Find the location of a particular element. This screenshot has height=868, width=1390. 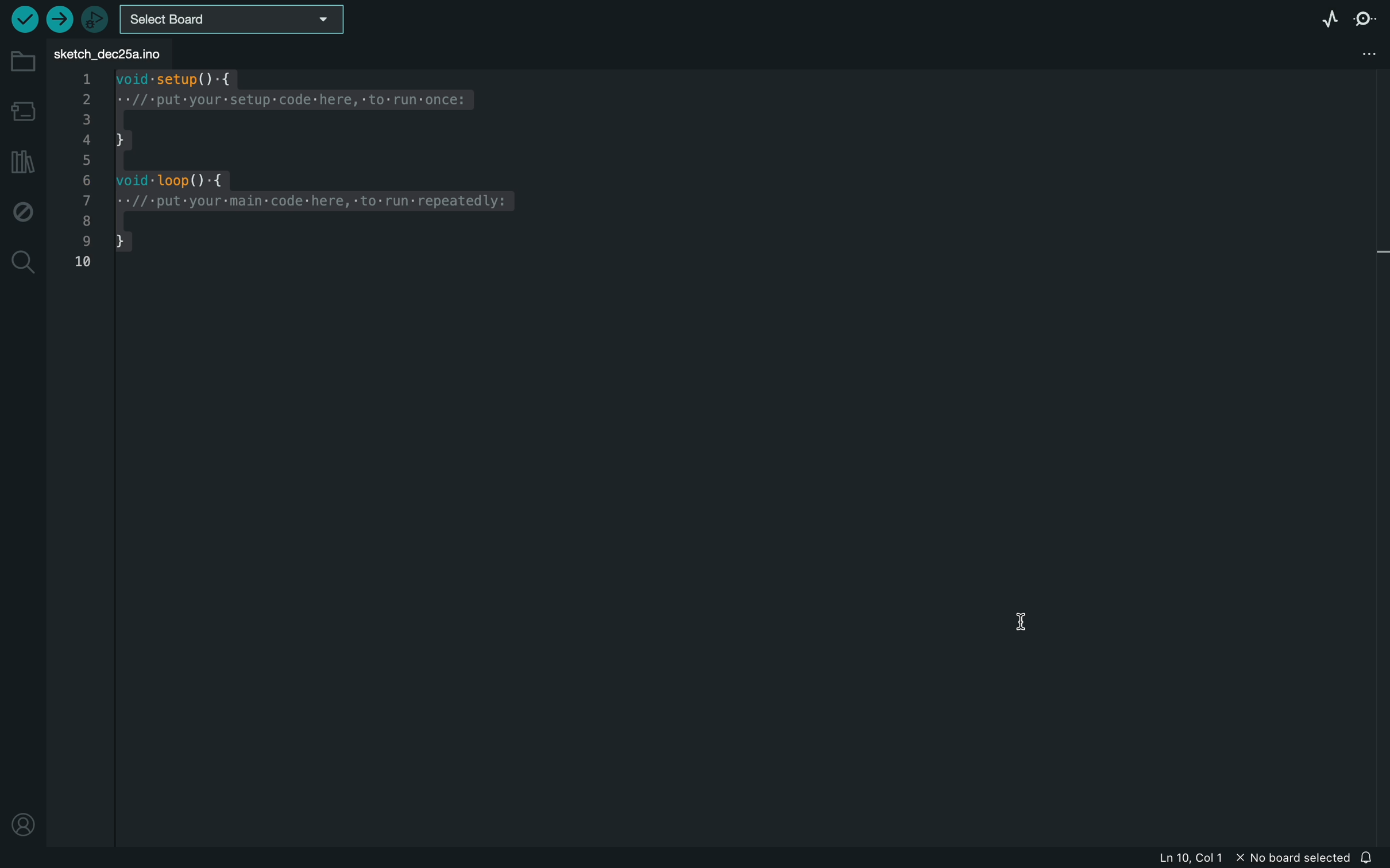

folder is located at coordinates (24, 63).